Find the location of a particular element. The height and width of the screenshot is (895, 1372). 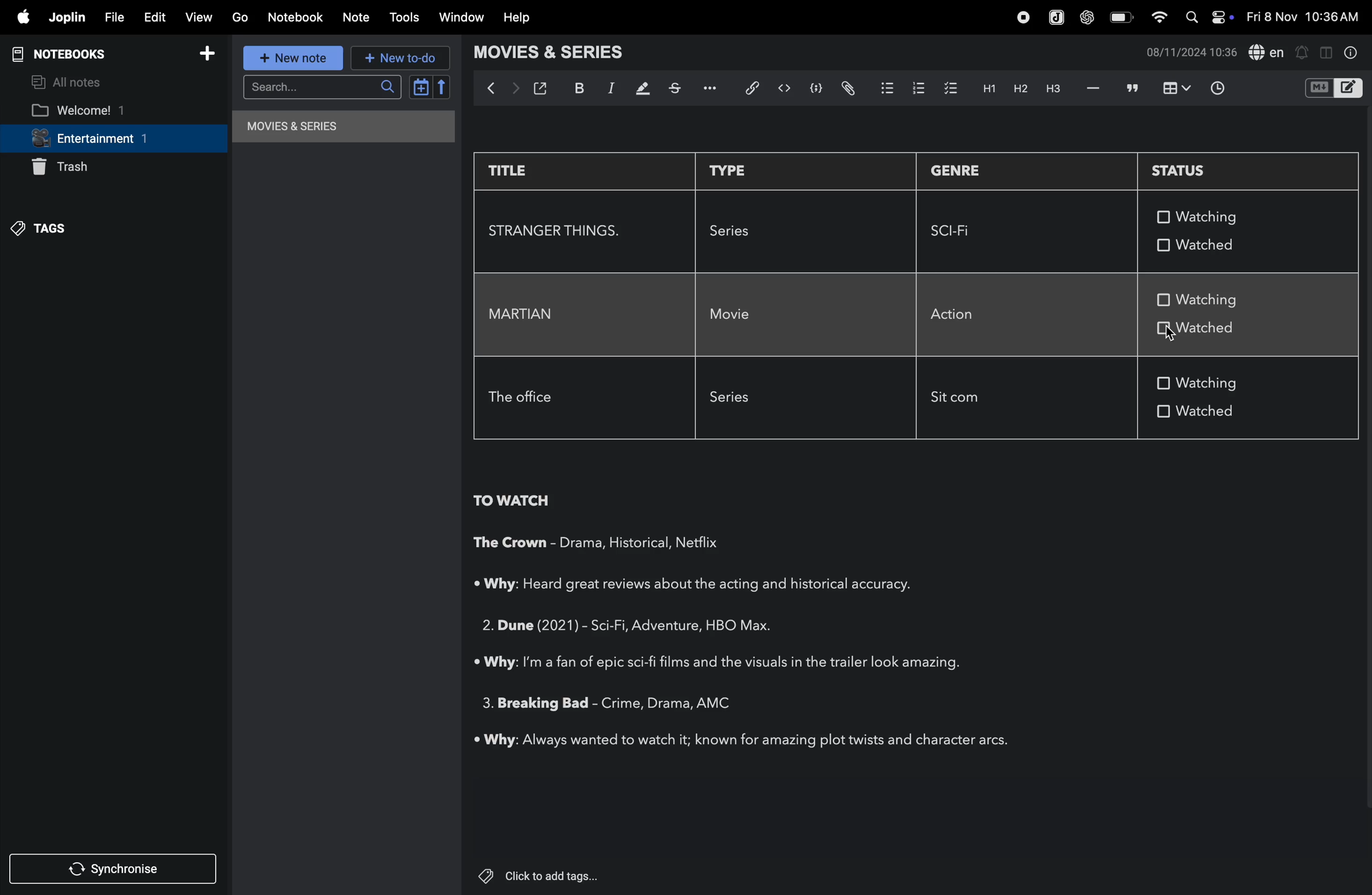

create alert is located at coordinates (1304, 51).